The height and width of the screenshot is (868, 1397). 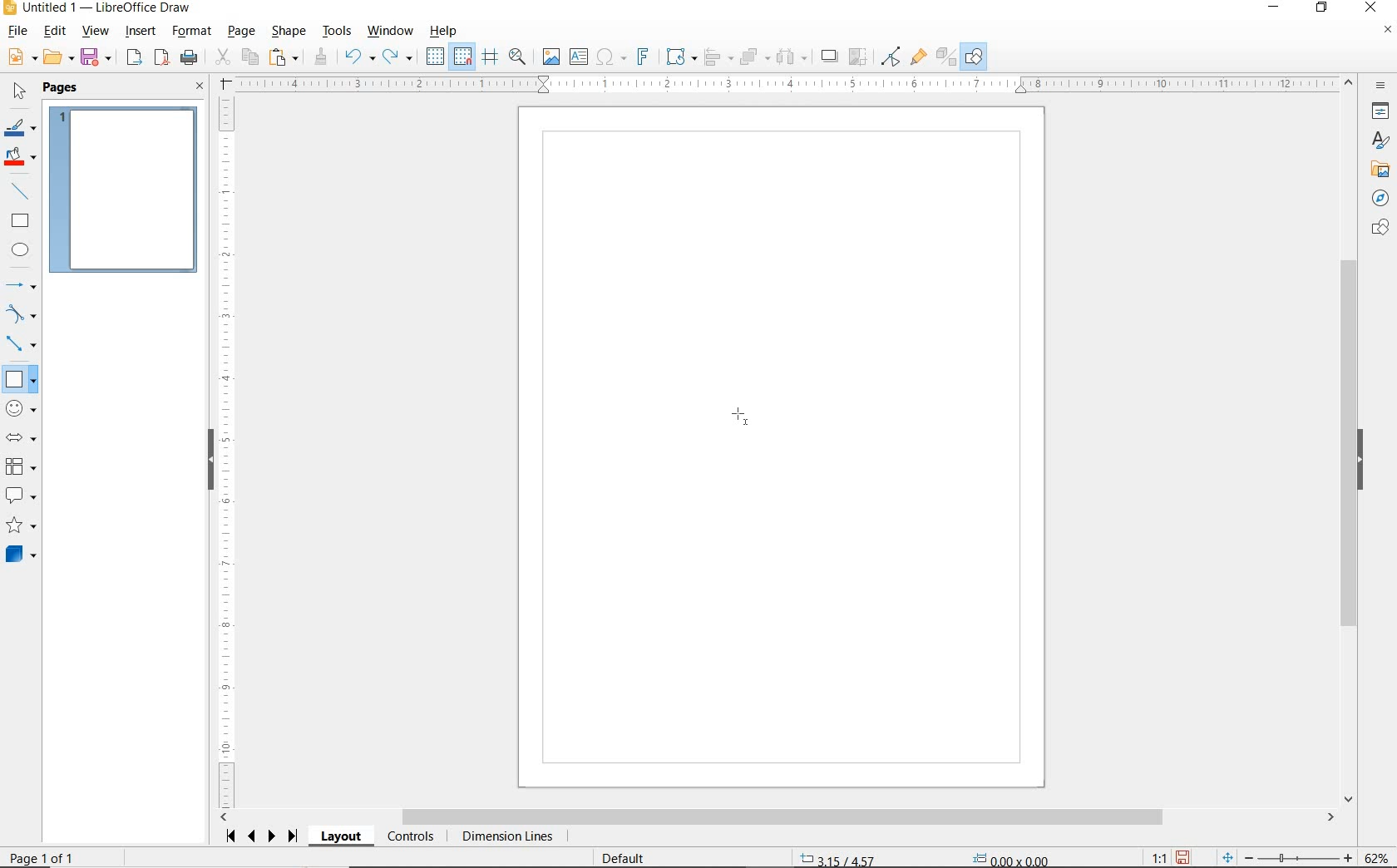 What do you see at coordinates (610, 57) in the screenshot?
I see `INSERT SPECIAL CHARACTERS` at bounding box center [610, 57].